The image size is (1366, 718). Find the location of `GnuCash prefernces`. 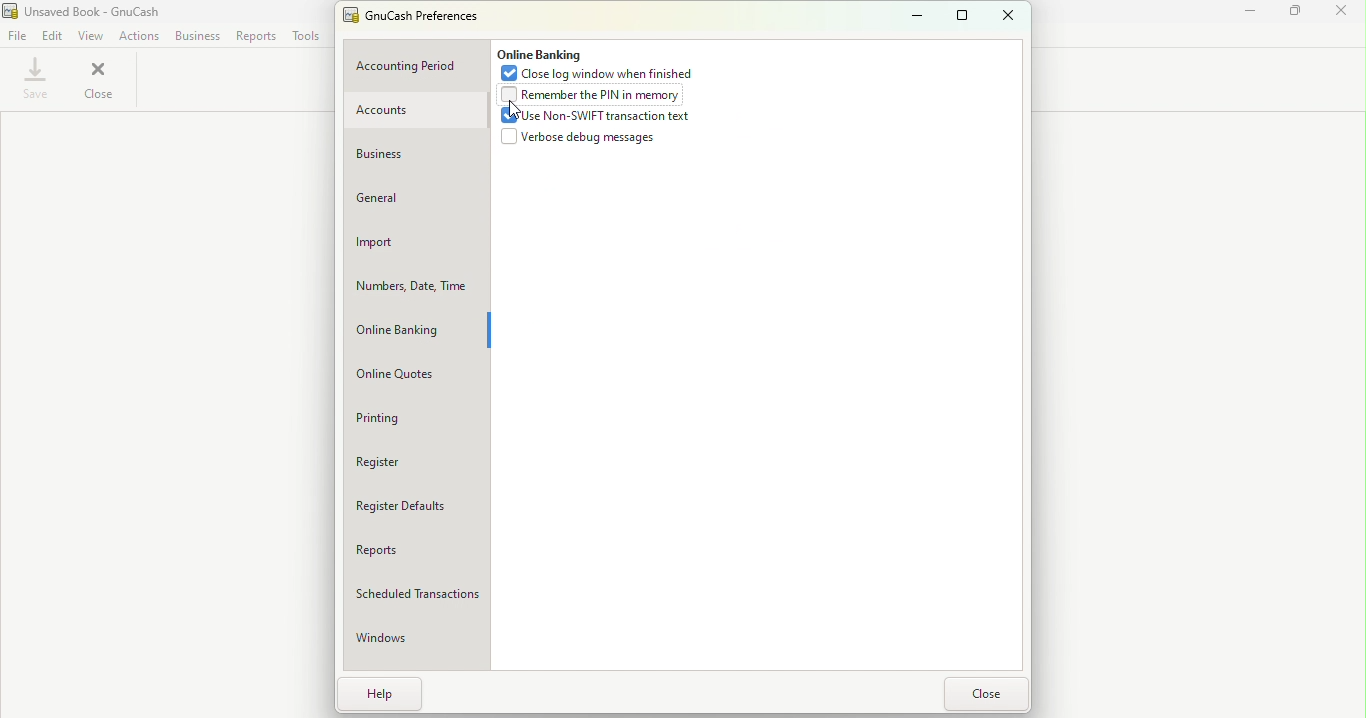

GnuCash prefernces is located at coordinates (419, 17).